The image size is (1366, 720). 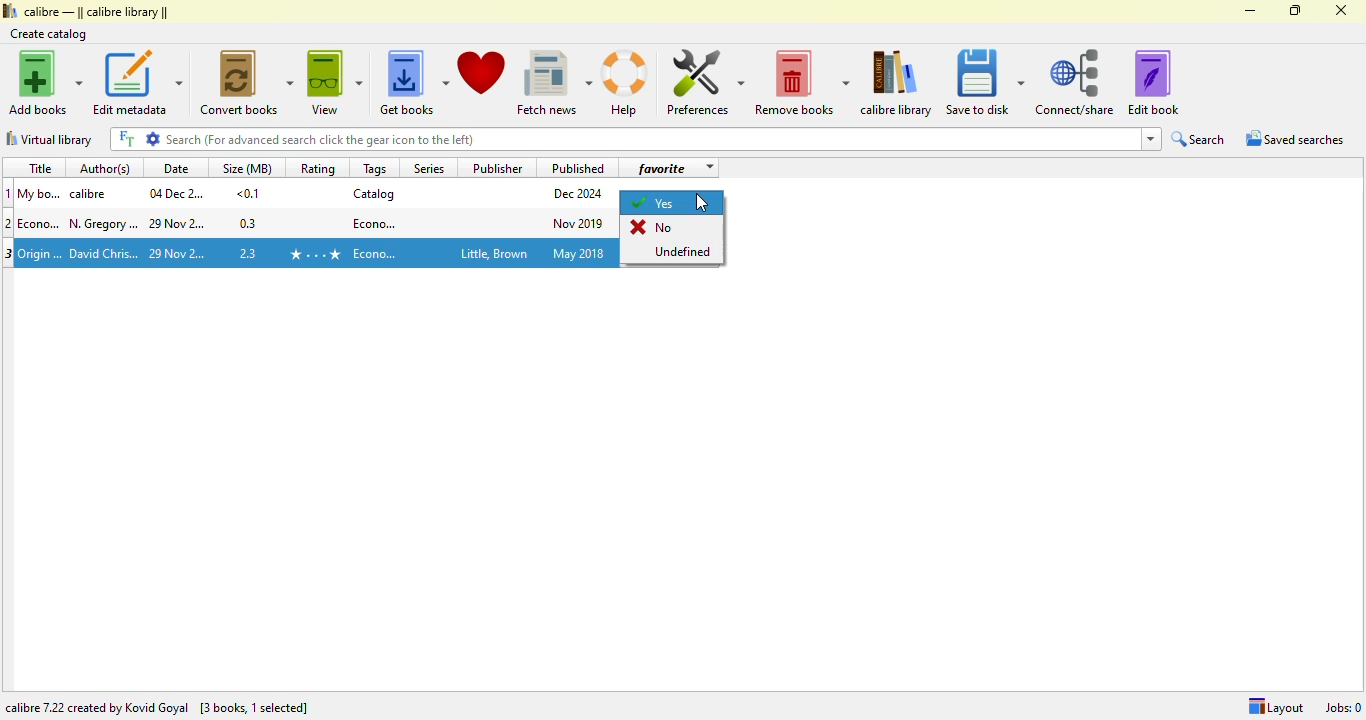 What do you see at coordinates (708, 168) in the screenshot?
I see `dropdown` at bounding box center [708, 168].